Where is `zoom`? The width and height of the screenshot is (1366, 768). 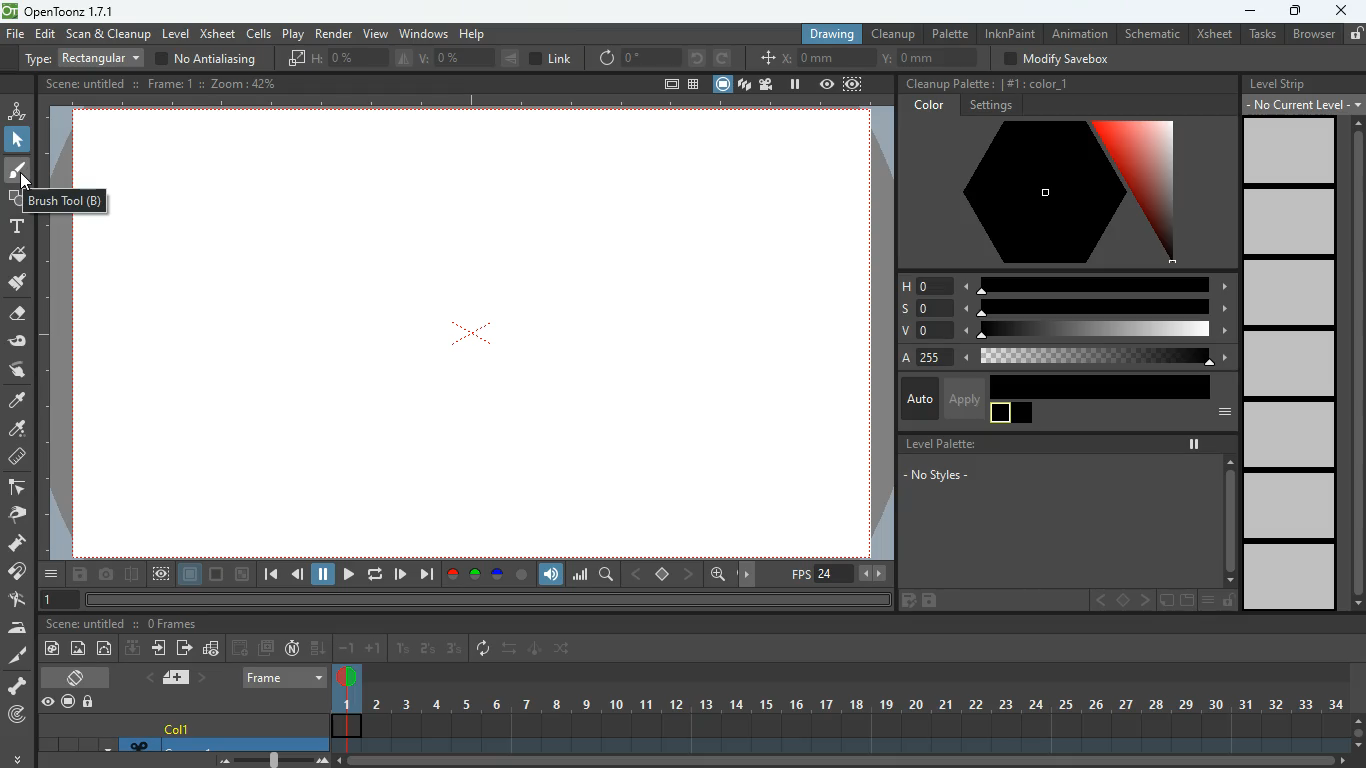
zoom is located at coordinates (718, 574).